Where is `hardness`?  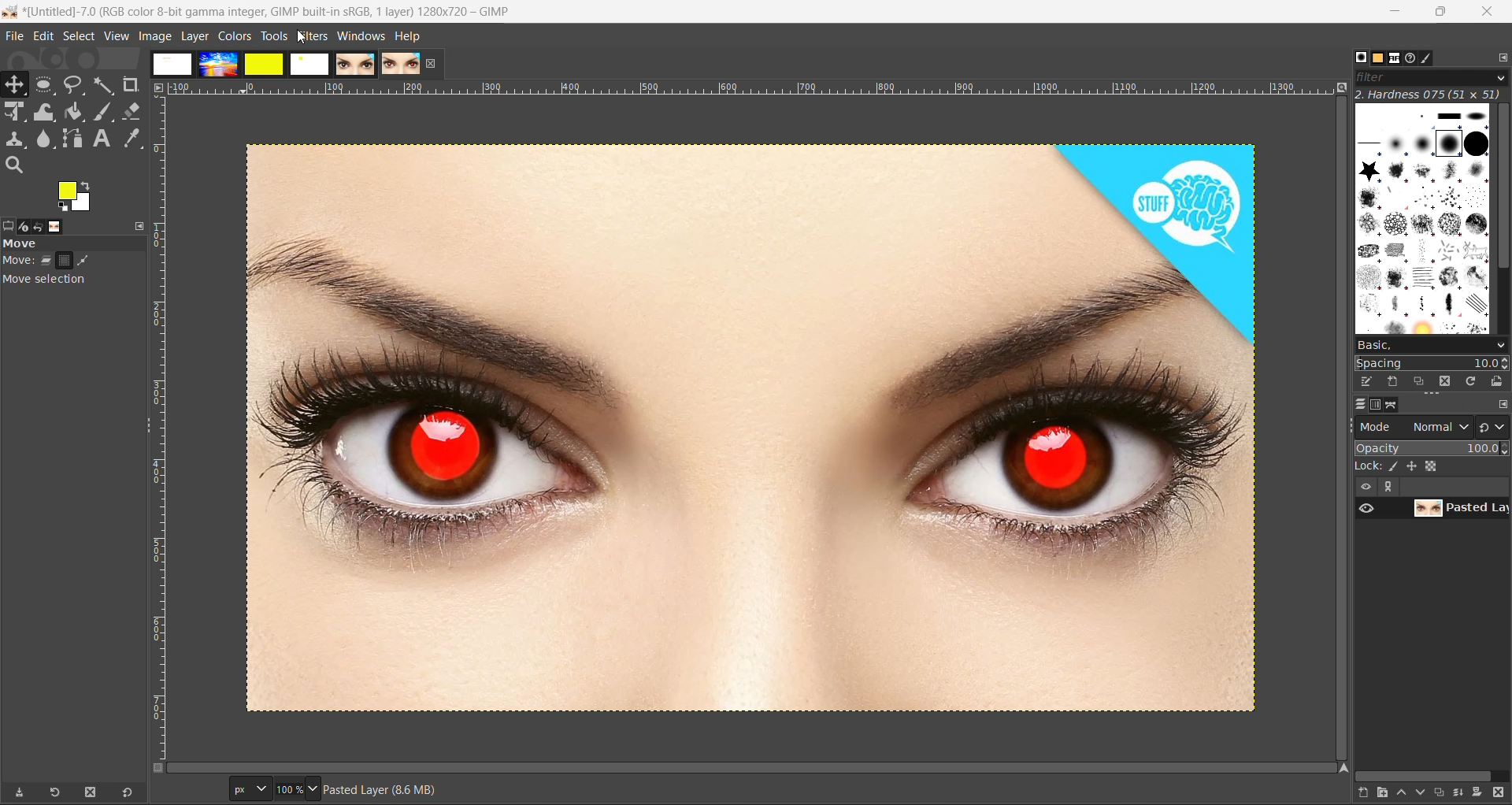
hardness is located at coordinates (1430, 97).